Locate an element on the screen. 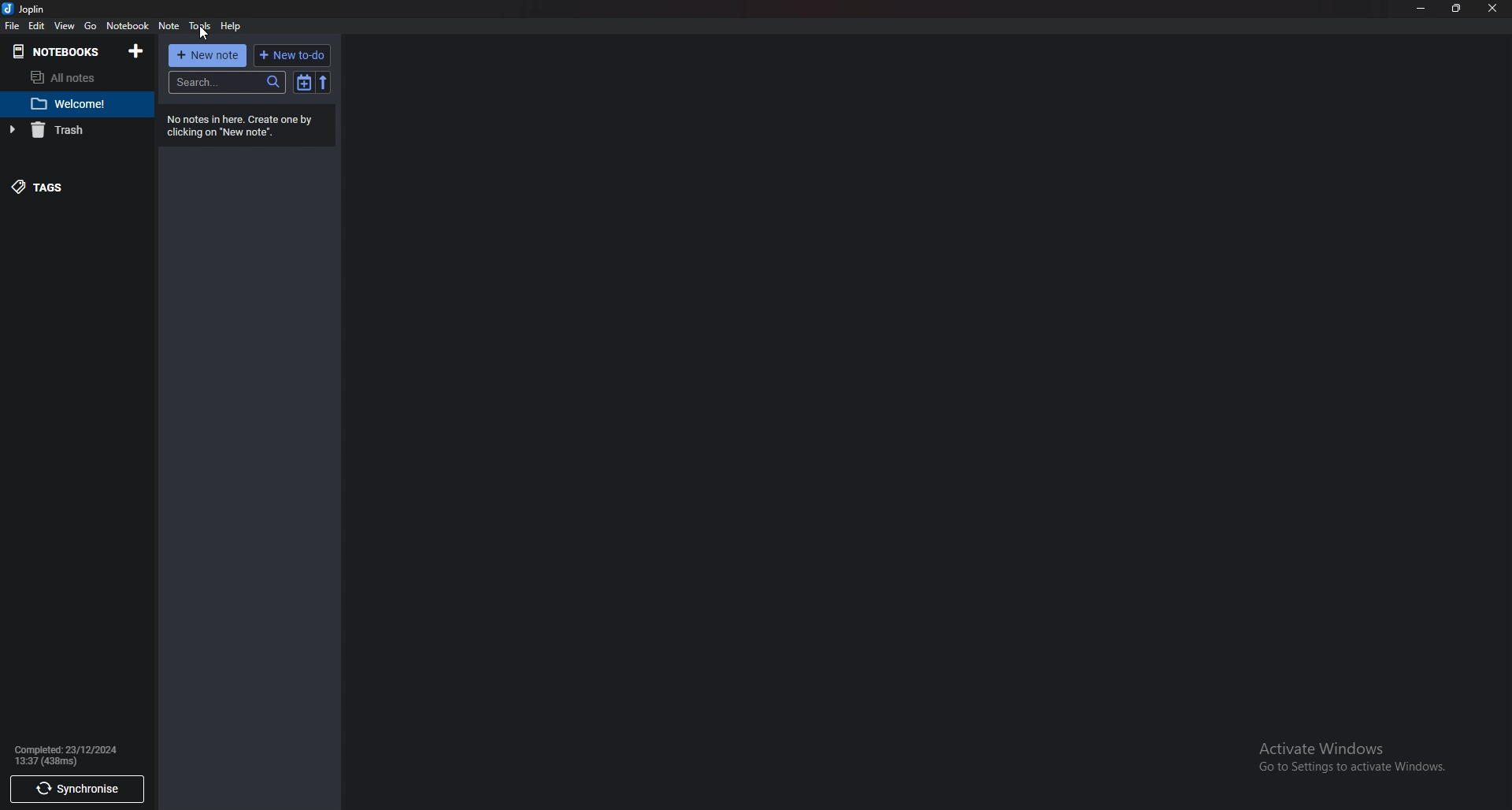 This screenshot has width=1512, height=810. View is located at coordinates (66, 26).